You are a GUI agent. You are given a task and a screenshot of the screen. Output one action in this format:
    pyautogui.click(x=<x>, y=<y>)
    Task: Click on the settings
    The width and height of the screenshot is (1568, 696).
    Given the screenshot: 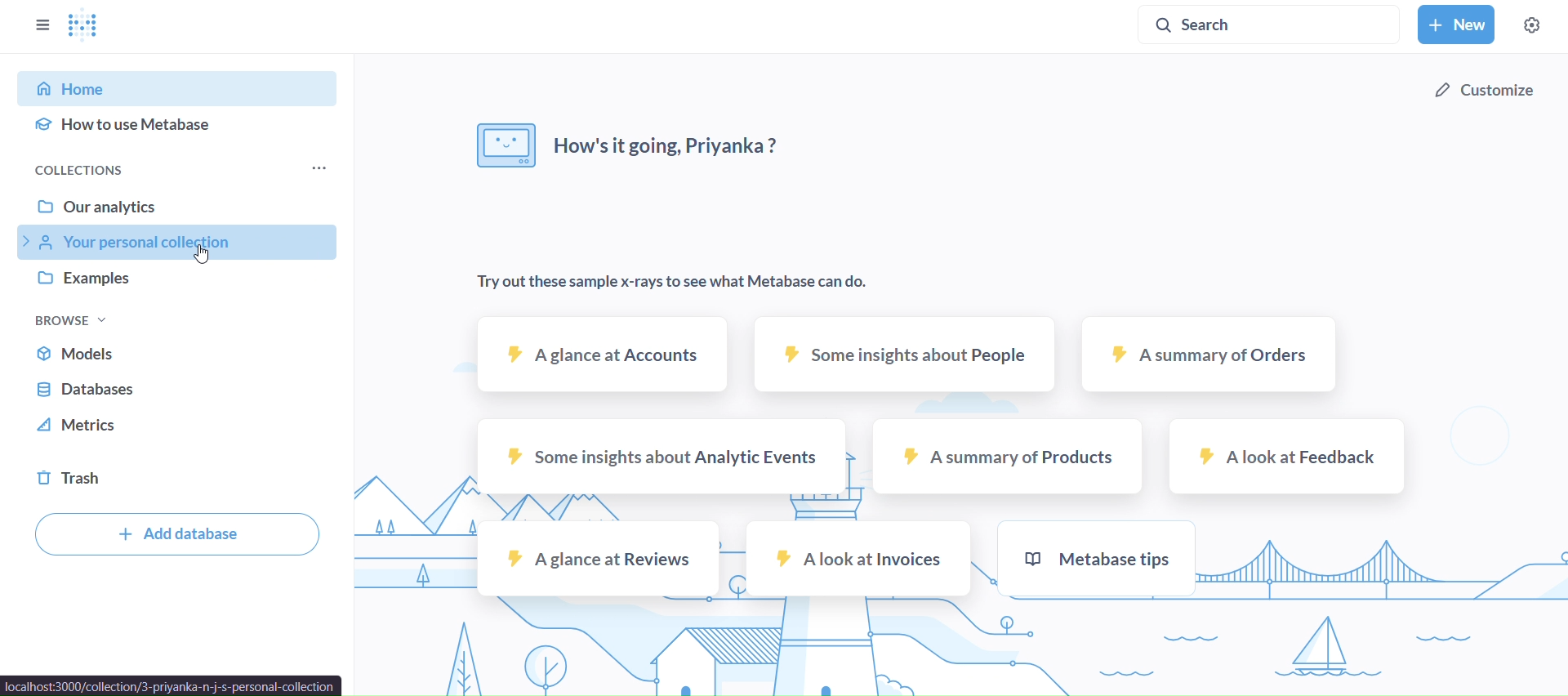 What is the action you would take?
    pyautogui.click(x=1531, y=25)
    